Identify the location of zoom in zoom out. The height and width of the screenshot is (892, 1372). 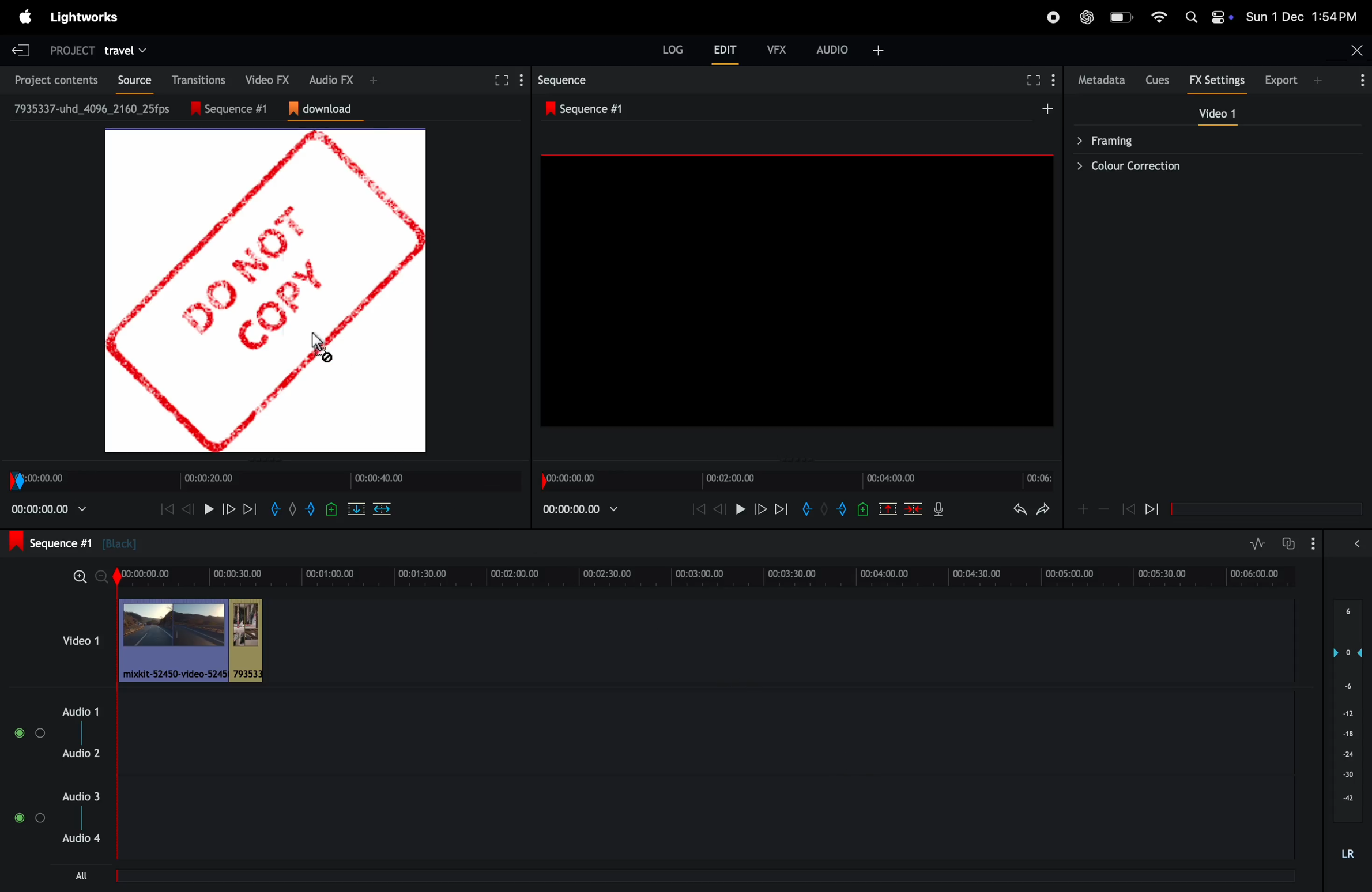
(1104, 508).